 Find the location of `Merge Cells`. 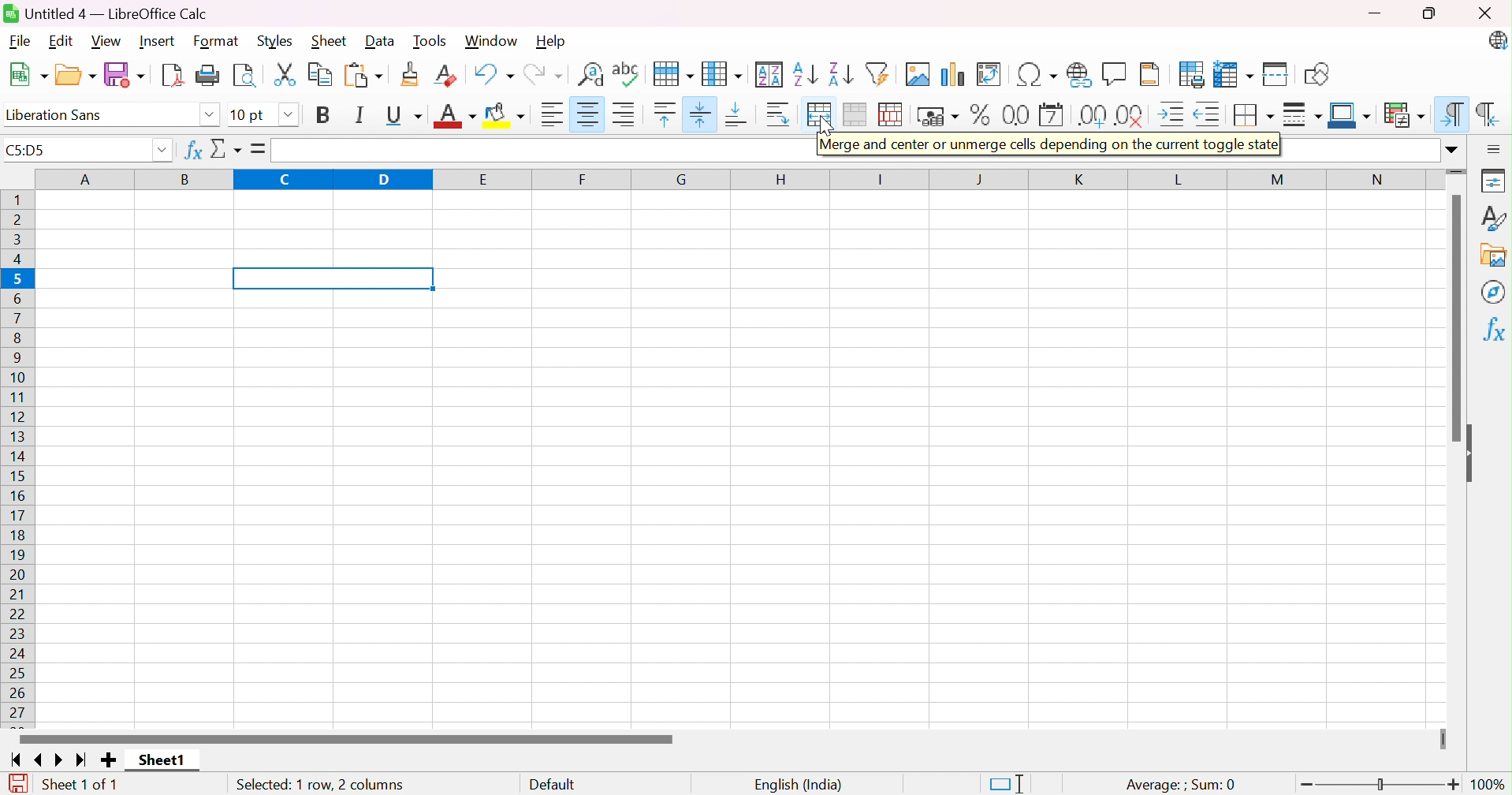

Merge Cells is located at coordinates (858, 114).